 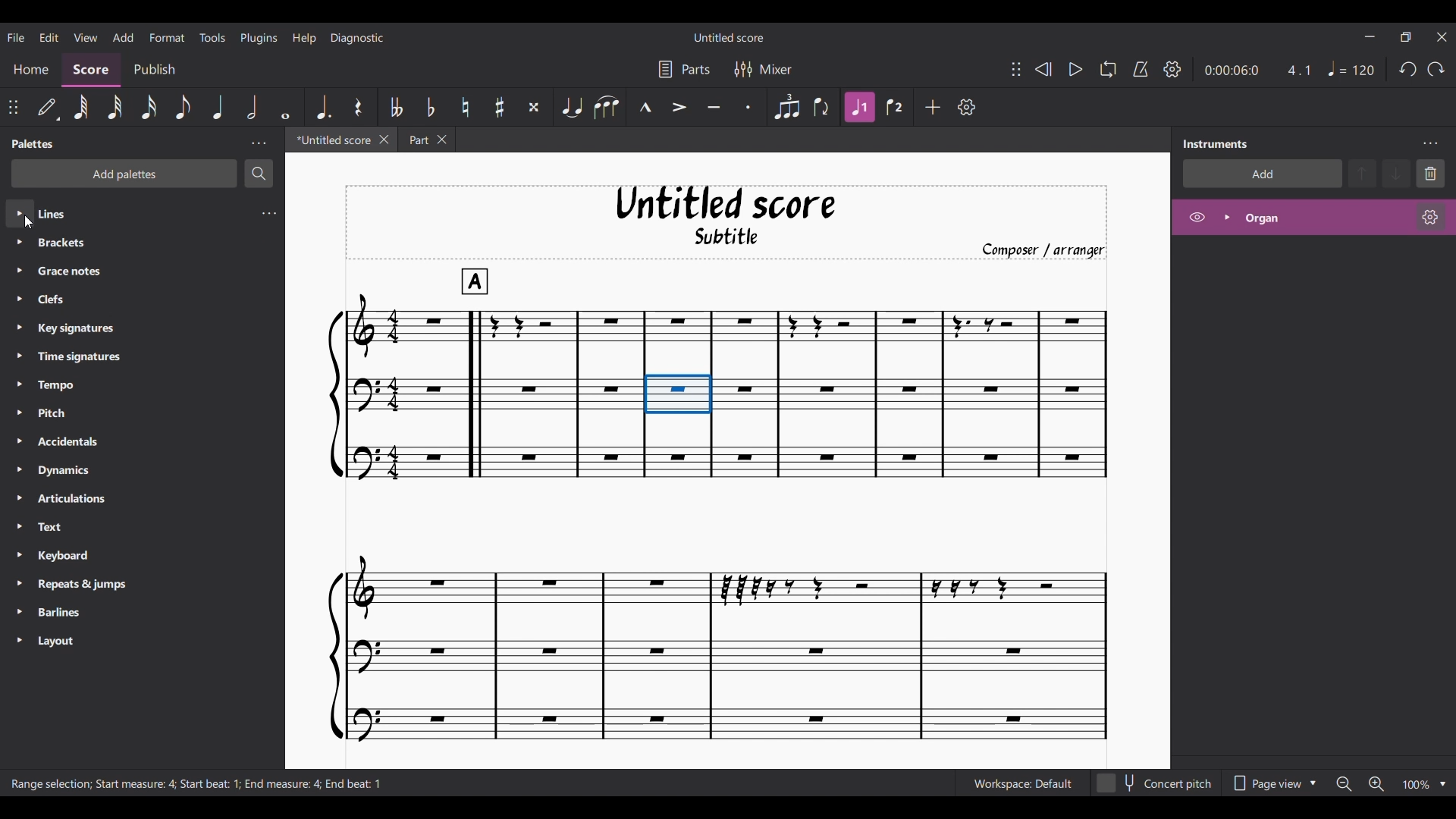 I want to click on Zoom in, so click(x=1376, y=784).